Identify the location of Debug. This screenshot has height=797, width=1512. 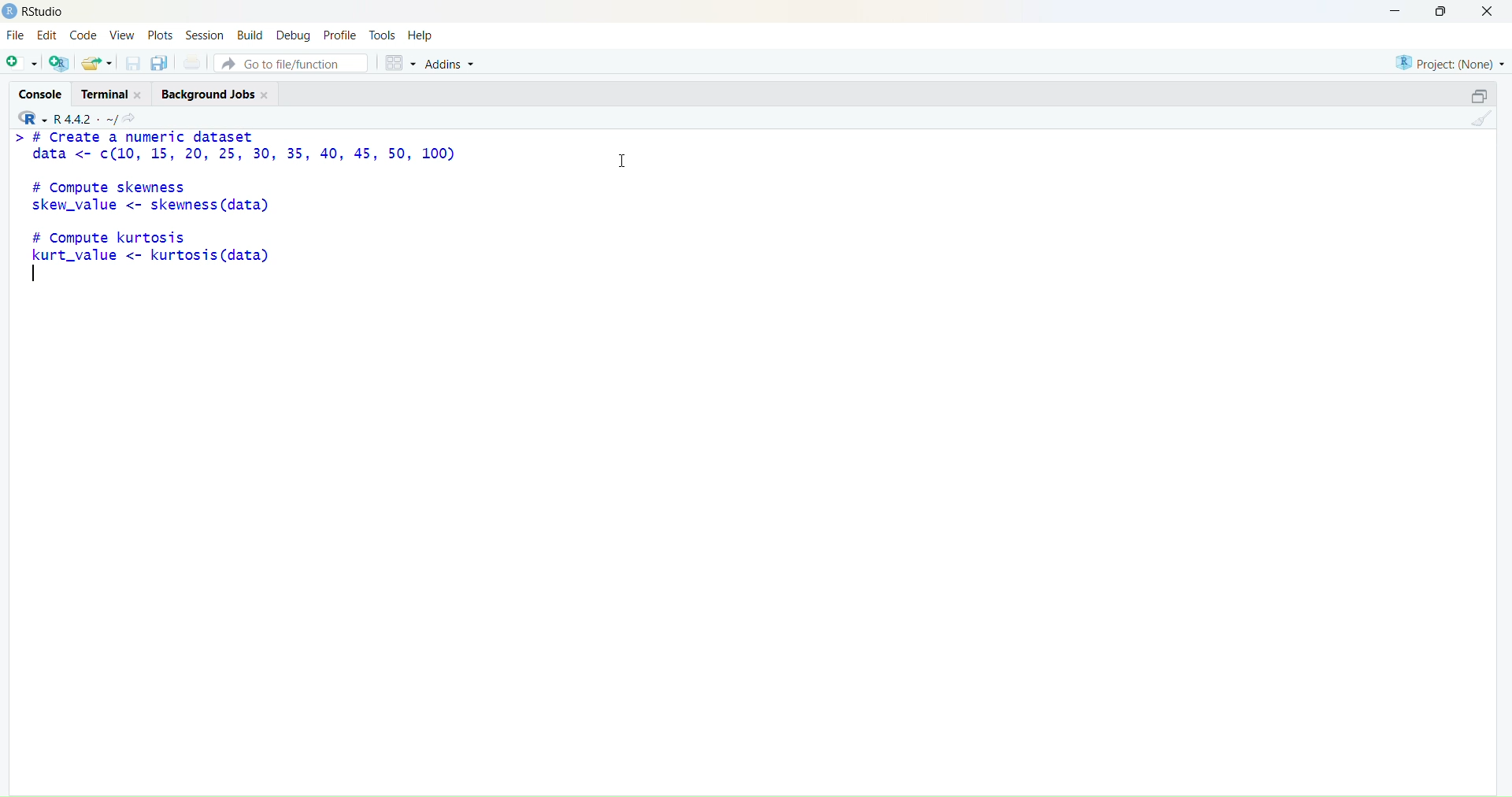
(294, 34).